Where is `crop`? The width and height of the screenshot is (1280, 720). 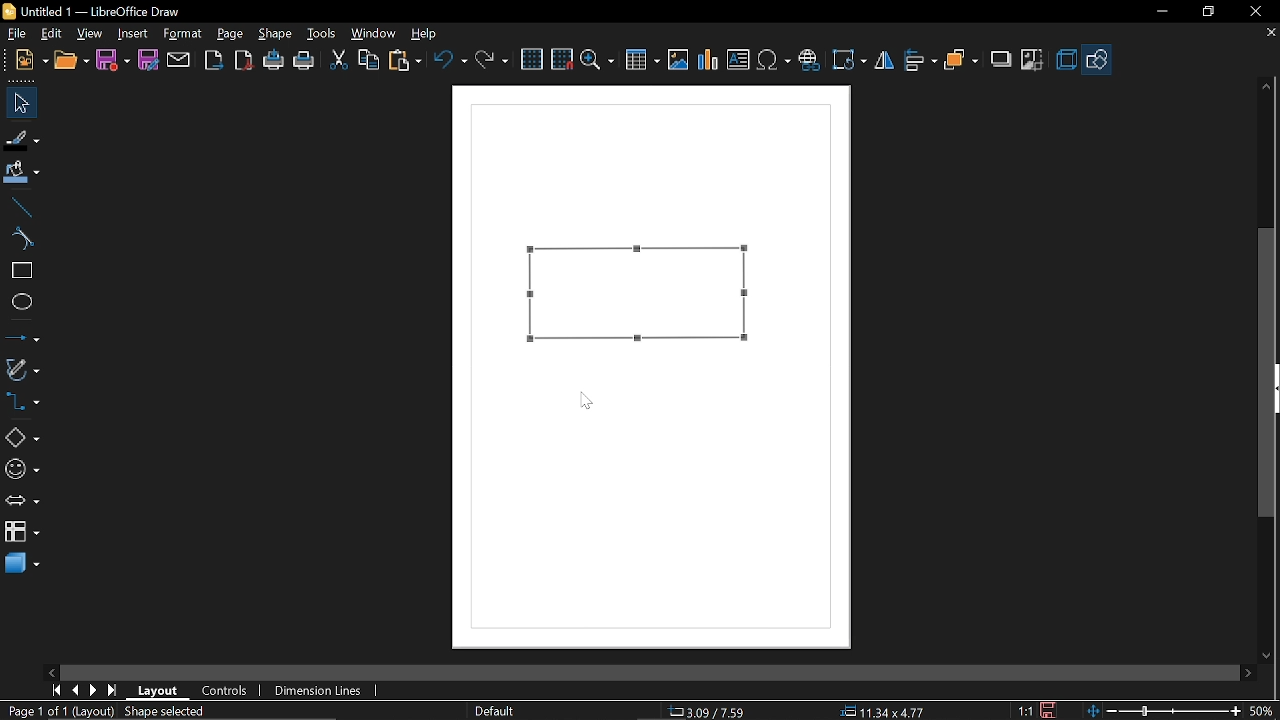 crop is located at coordinates (1033, 59).